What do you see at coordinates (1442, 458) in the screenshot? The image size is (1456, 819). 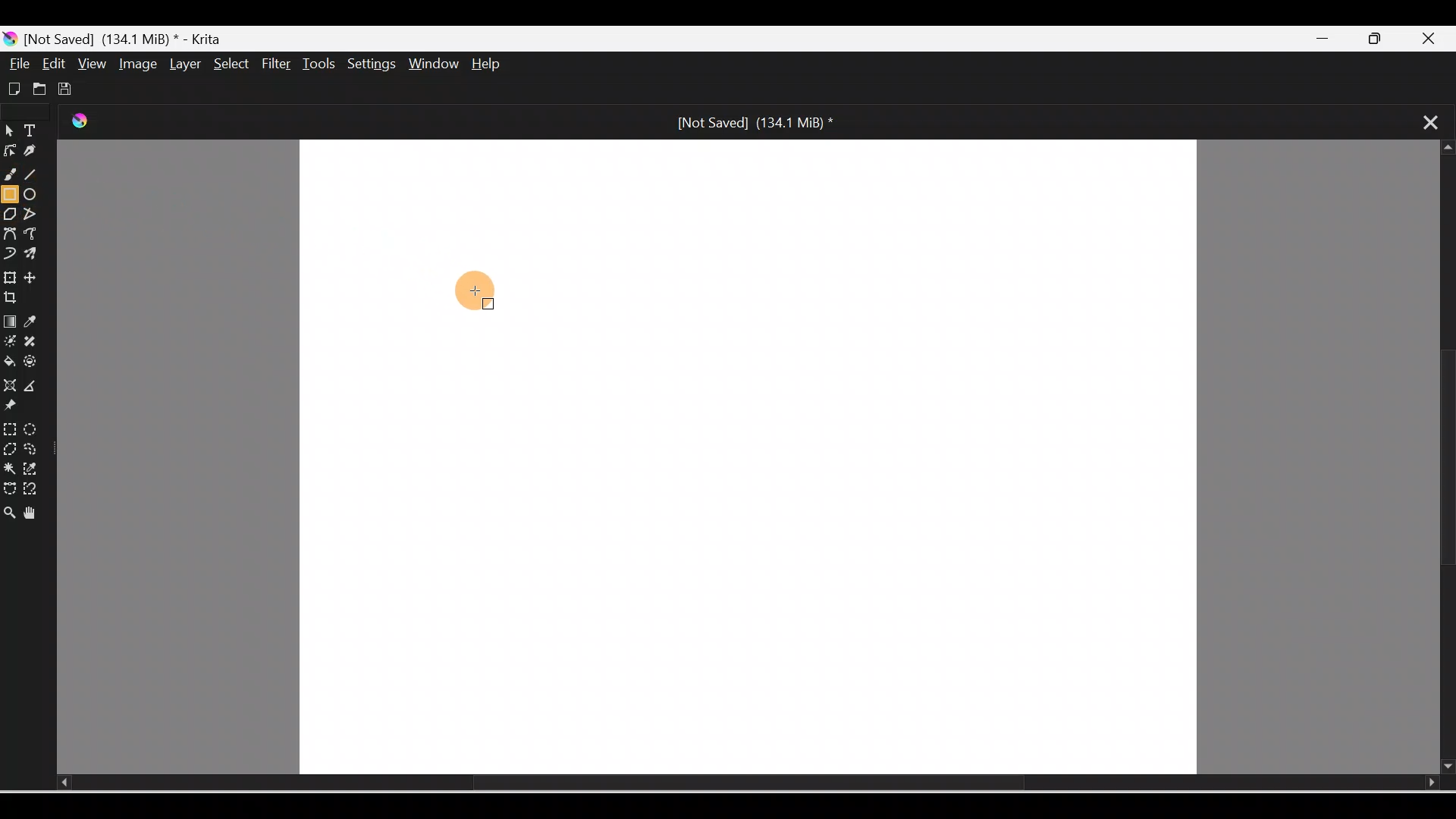 I see `Scroll bar` at bounding box center [1442, 458].